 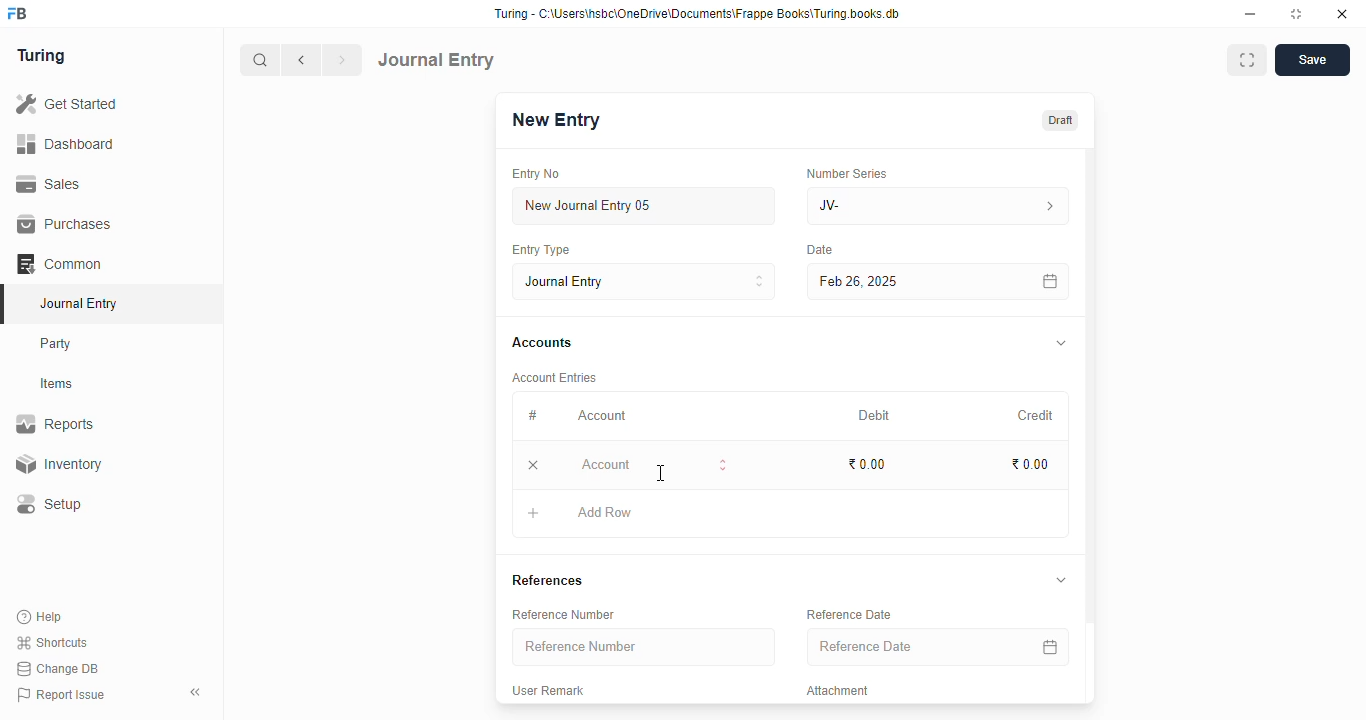 What do you see at coordinates (1037, 415) in the screenshot?
I see `credit` at bounding box center [1037, 415].